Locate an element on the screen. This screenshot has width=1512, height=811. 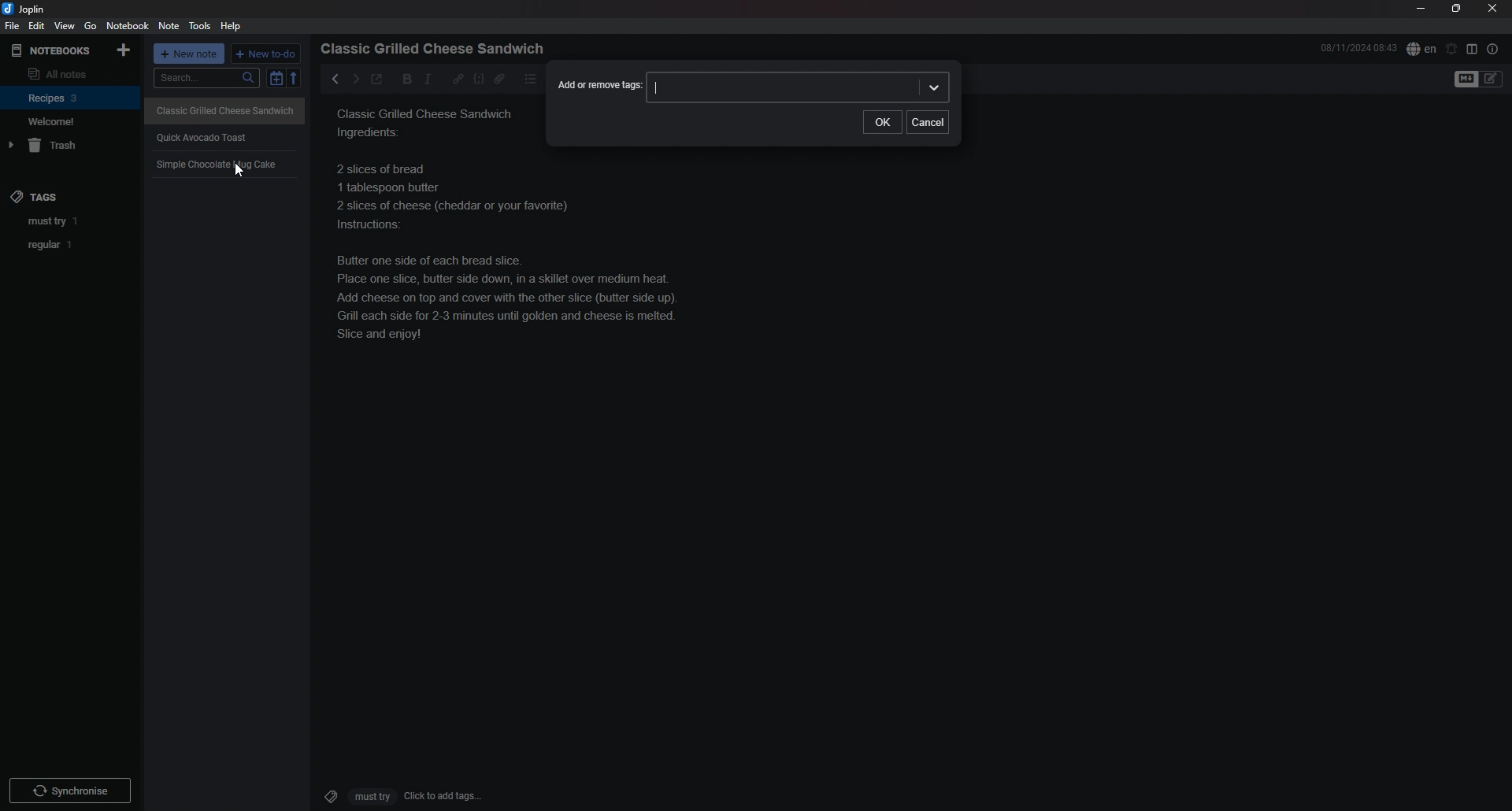
Cancel is located at coordinates (928, 121).